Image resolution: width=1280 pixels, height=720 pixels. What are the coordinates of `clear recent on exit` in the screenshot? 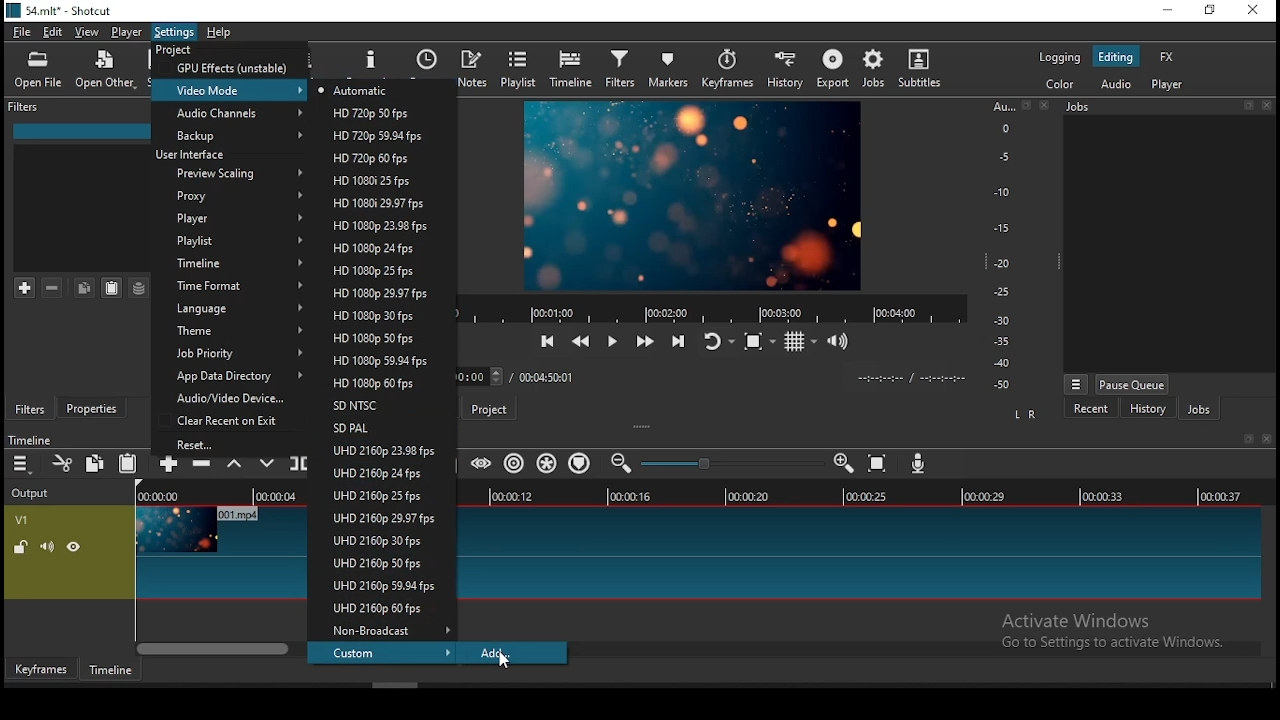 It's located at (231, 422).